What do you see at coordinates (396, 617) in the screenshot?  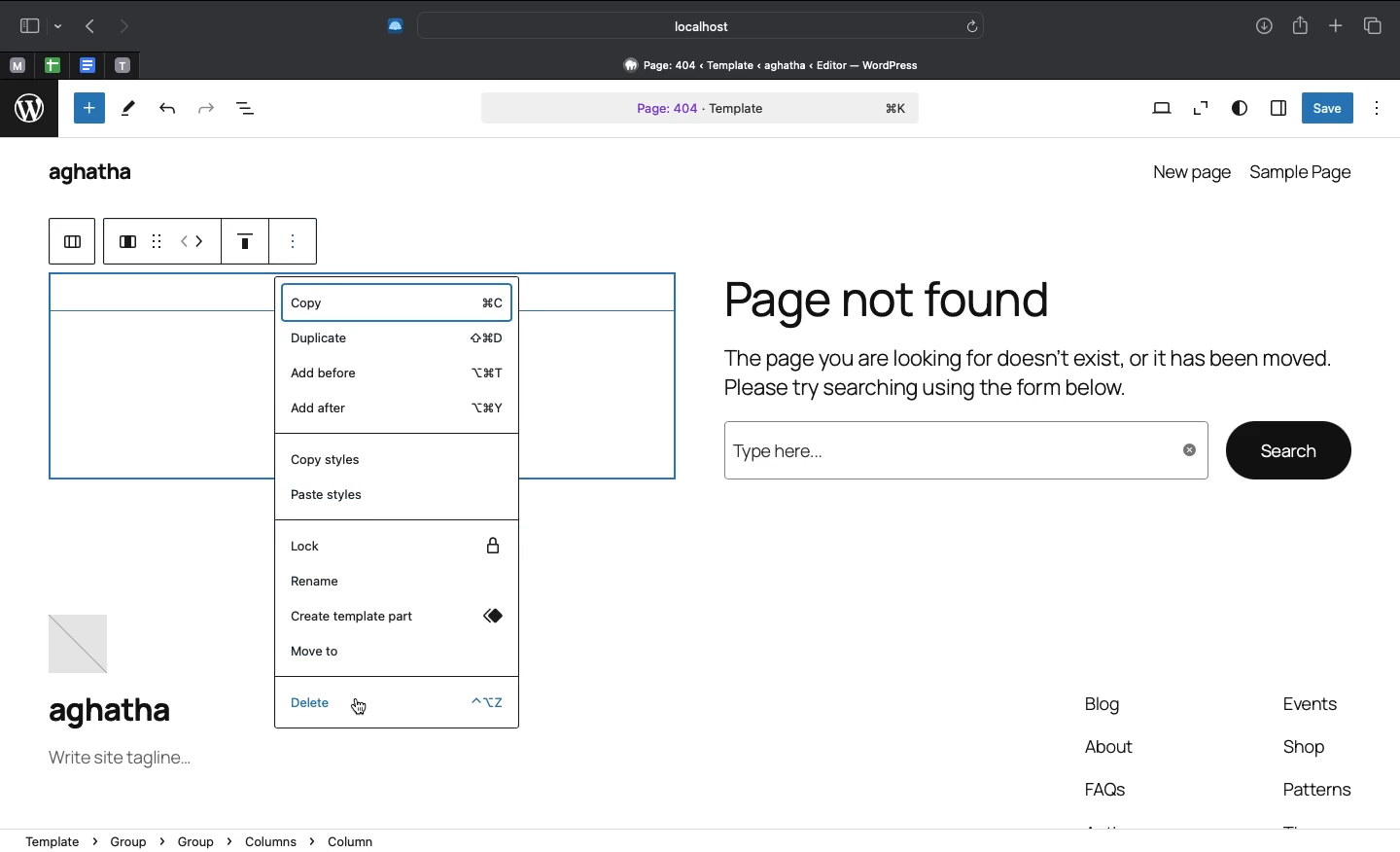 I see `create template part` at bounding box center [396, 617].